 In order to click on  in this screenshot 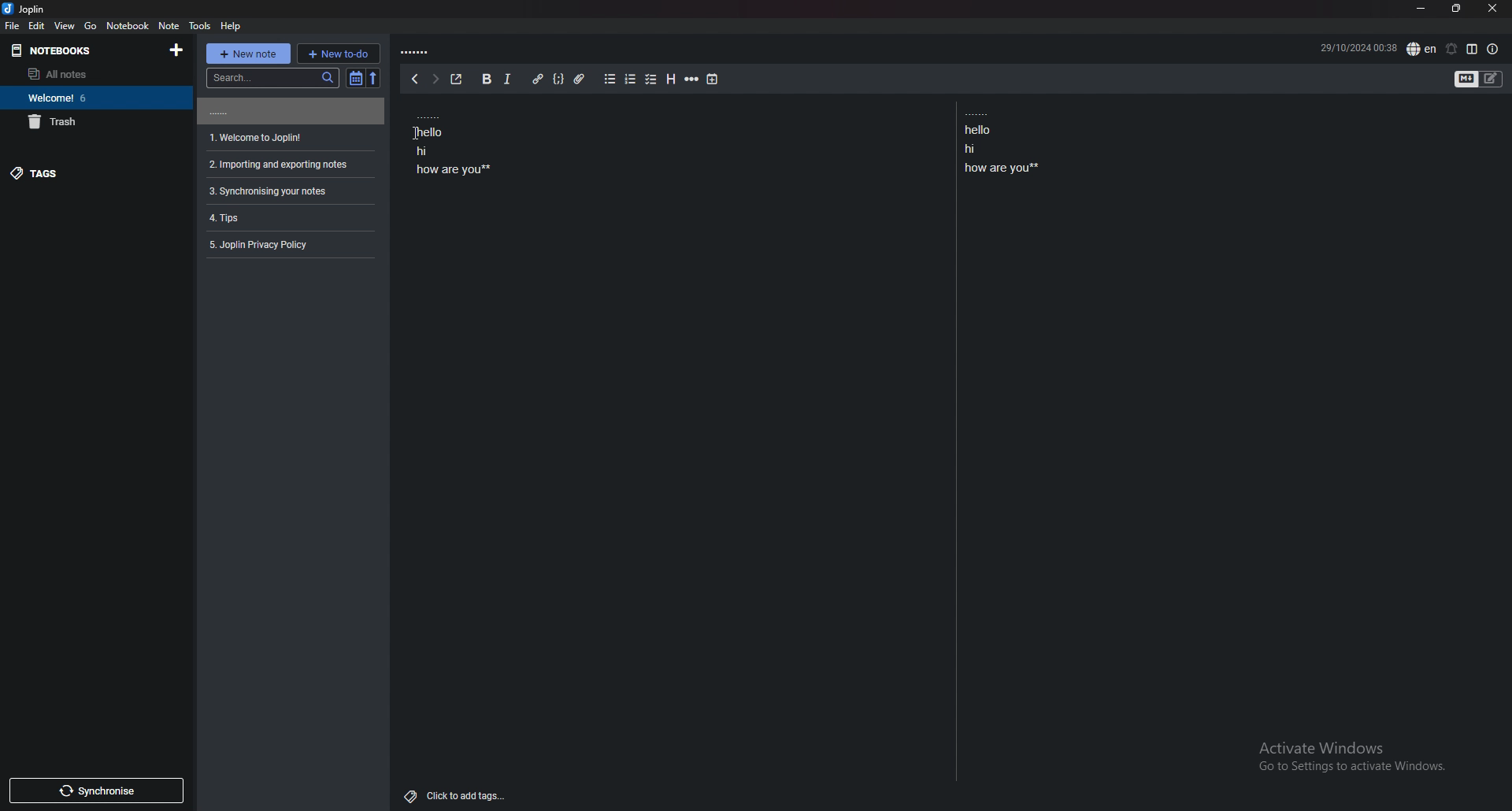, I will do `click(409, 132)`.